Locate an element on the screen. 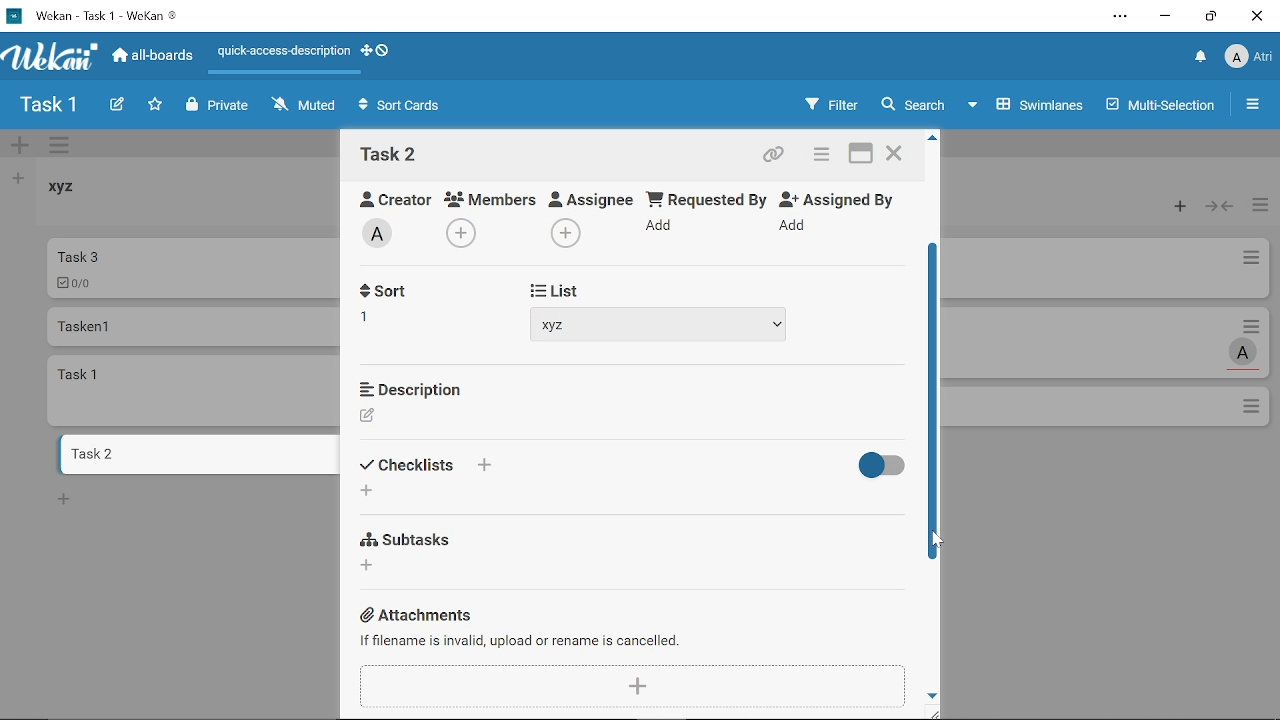 This screenshot has width=1280, height=720. Swimlanes is located at coordinates (1028, 103).